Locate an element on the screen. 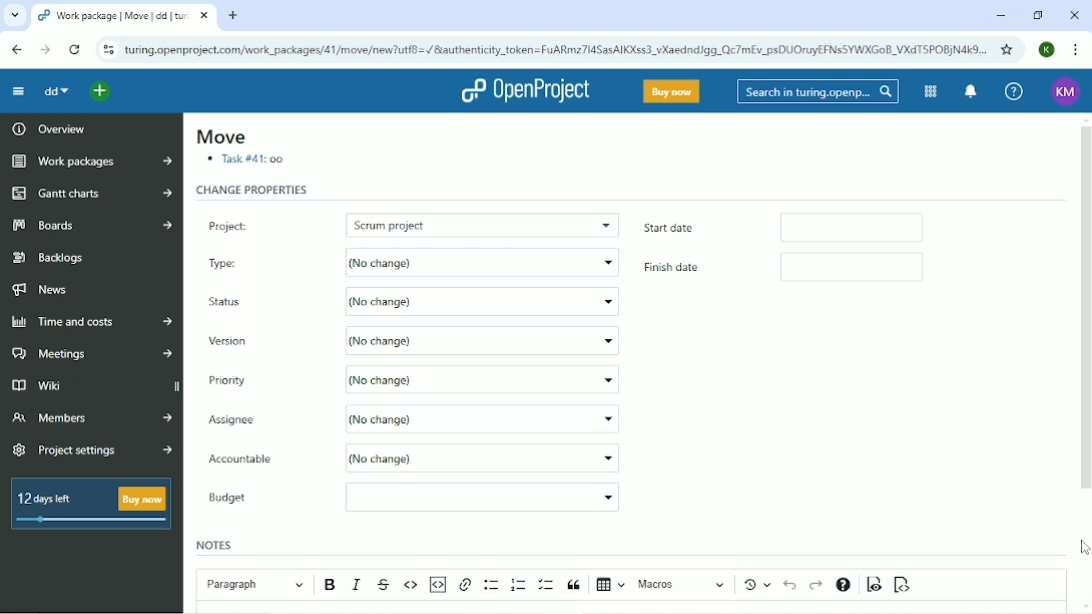  Toggle preview mode is located at coordinates (875, 584).